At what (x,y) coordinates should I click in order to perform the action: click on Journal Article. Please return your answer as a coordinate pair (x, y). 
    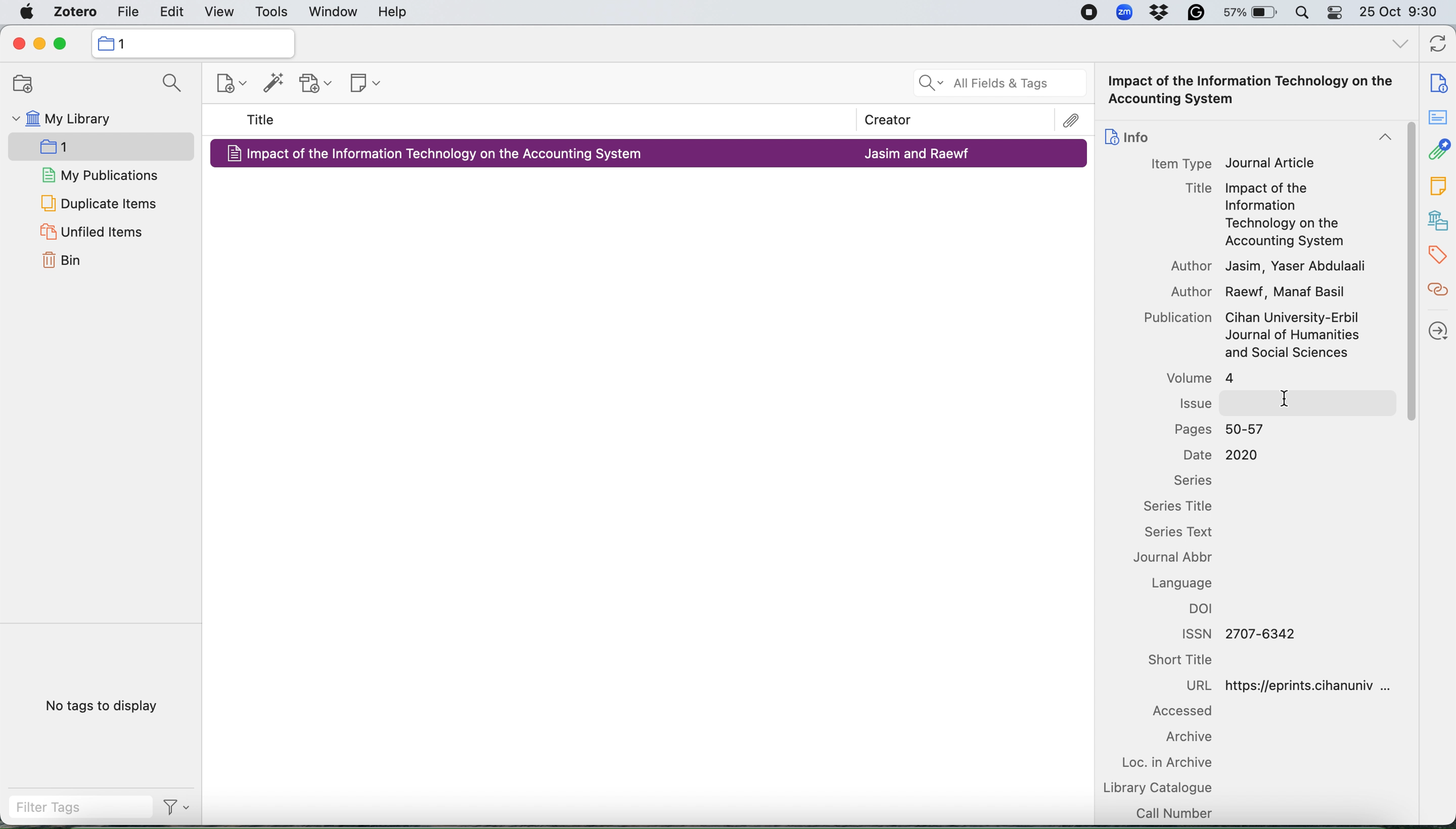
    Looking at the image, I should click on (1271, 163).